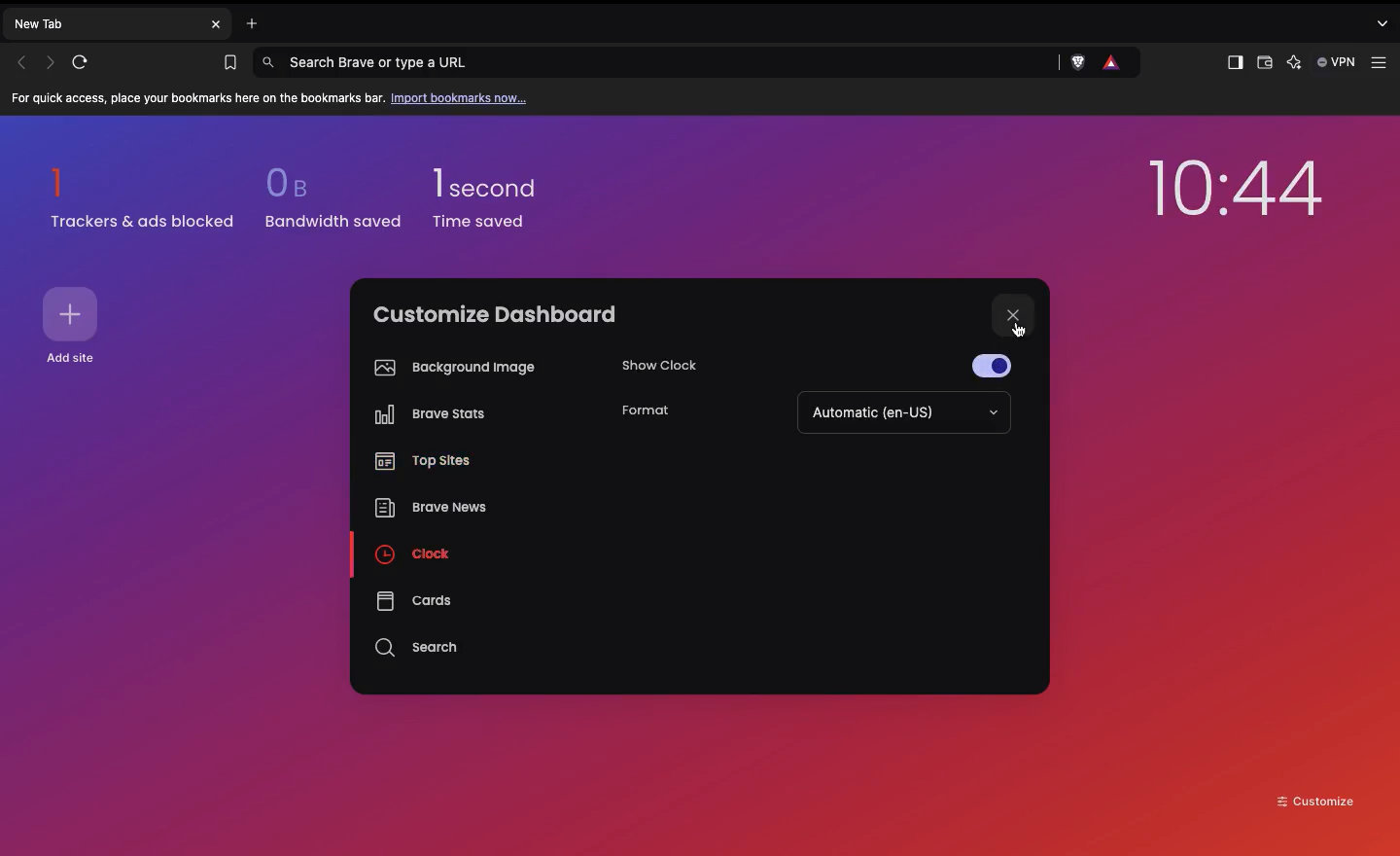 The image size is (1400, 856). Describe the element at coordinates (21, 62) in the screenshot. I see `Previous page` at that location.